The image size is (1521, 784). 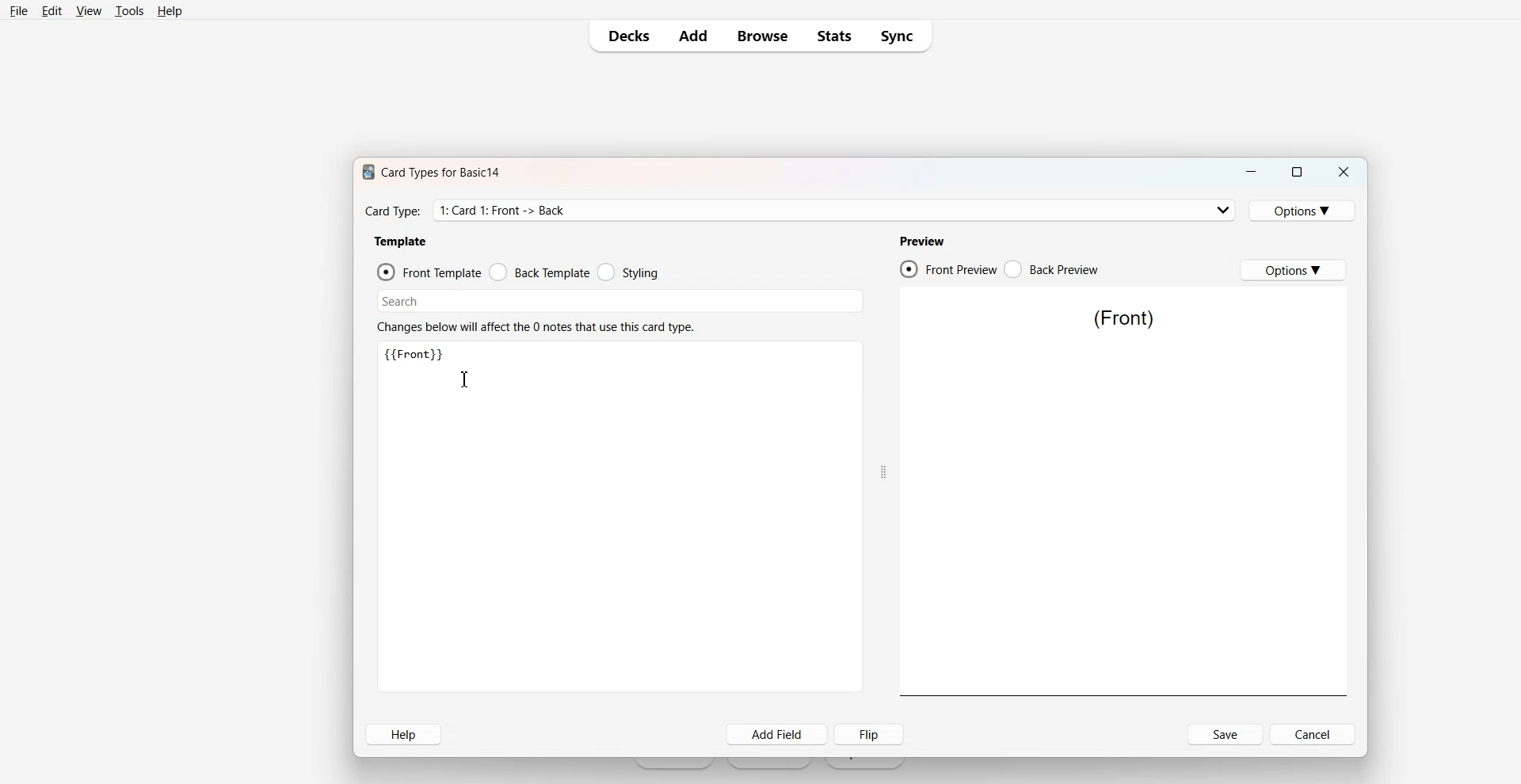 I want to click on Add, so click(x=695, y=36).